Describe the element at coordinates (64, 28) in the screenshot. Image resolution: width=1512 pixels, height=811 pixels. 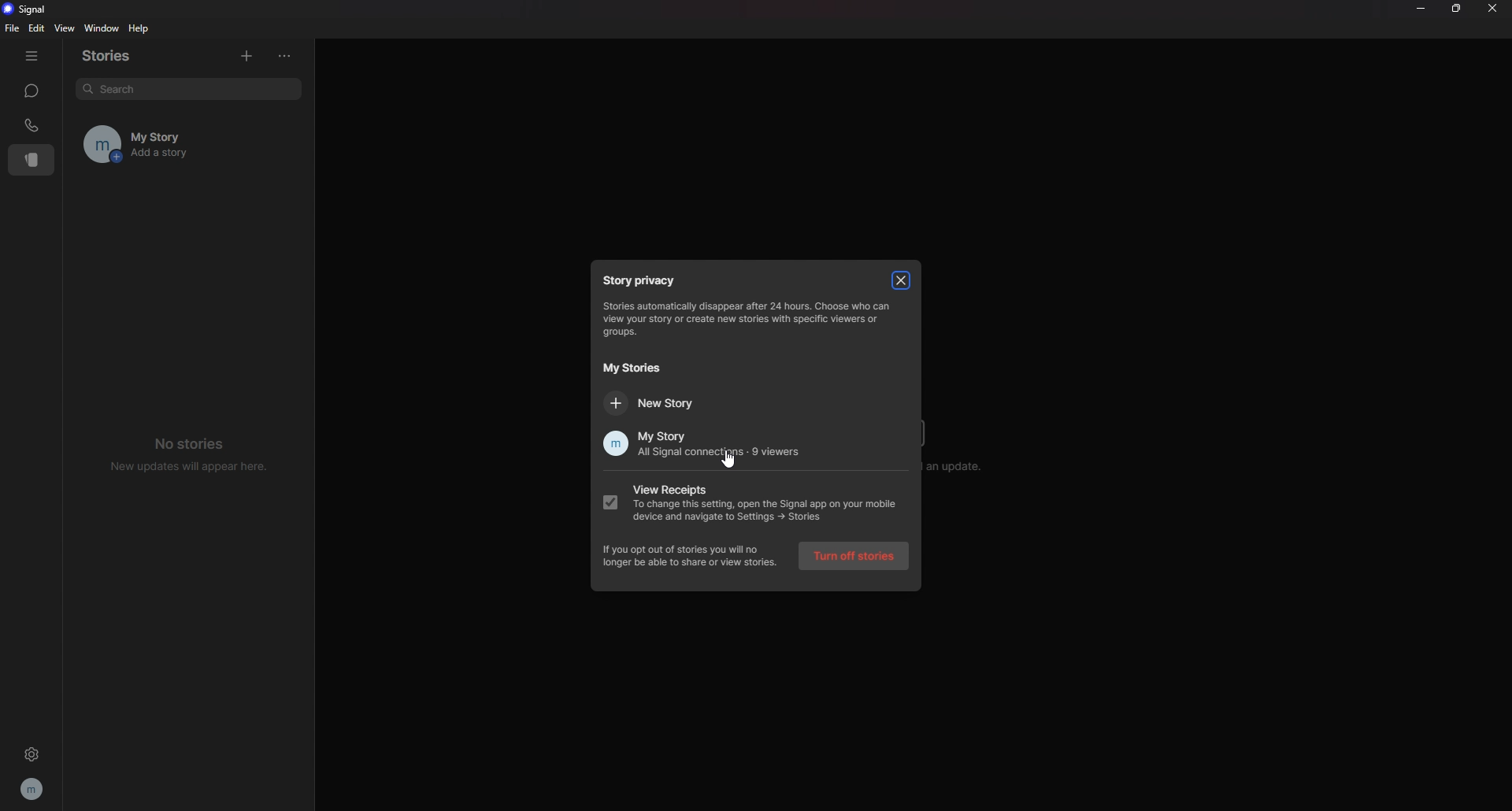
I see `view` at that location.